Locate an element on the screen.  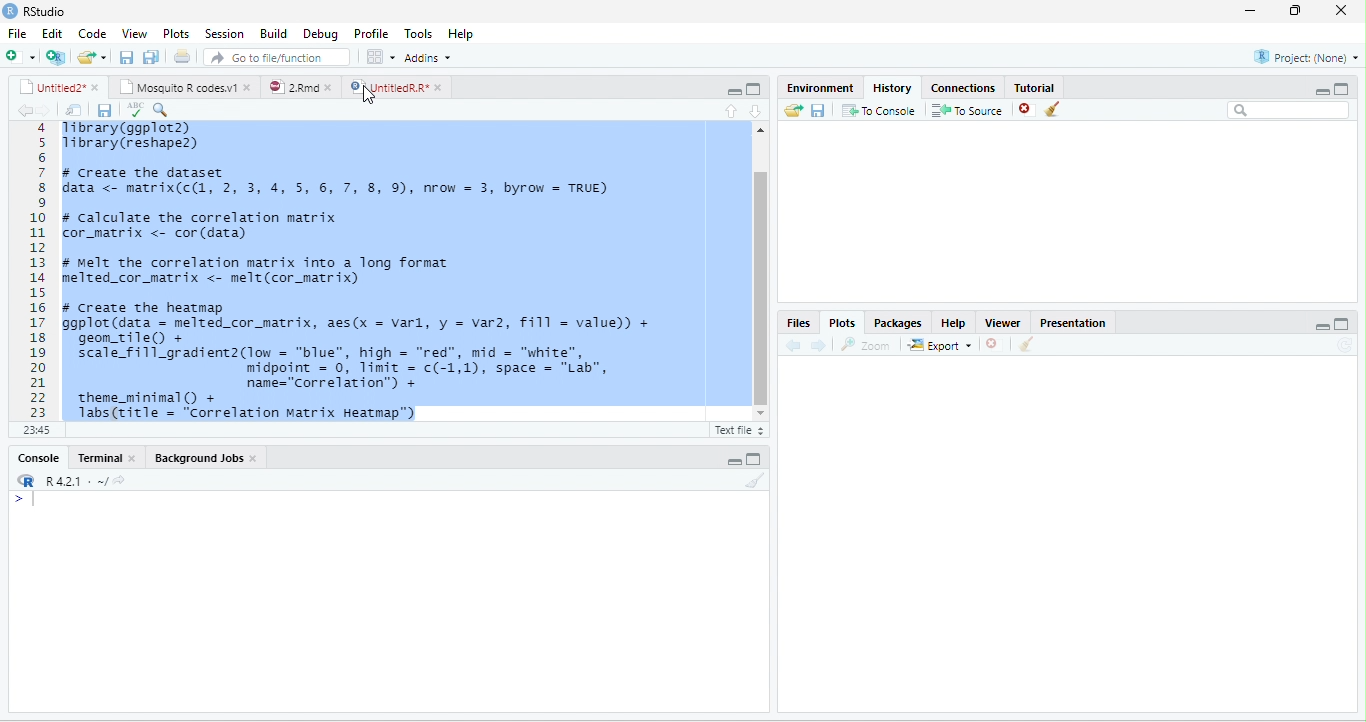
help is located at coordinates (951, 322).